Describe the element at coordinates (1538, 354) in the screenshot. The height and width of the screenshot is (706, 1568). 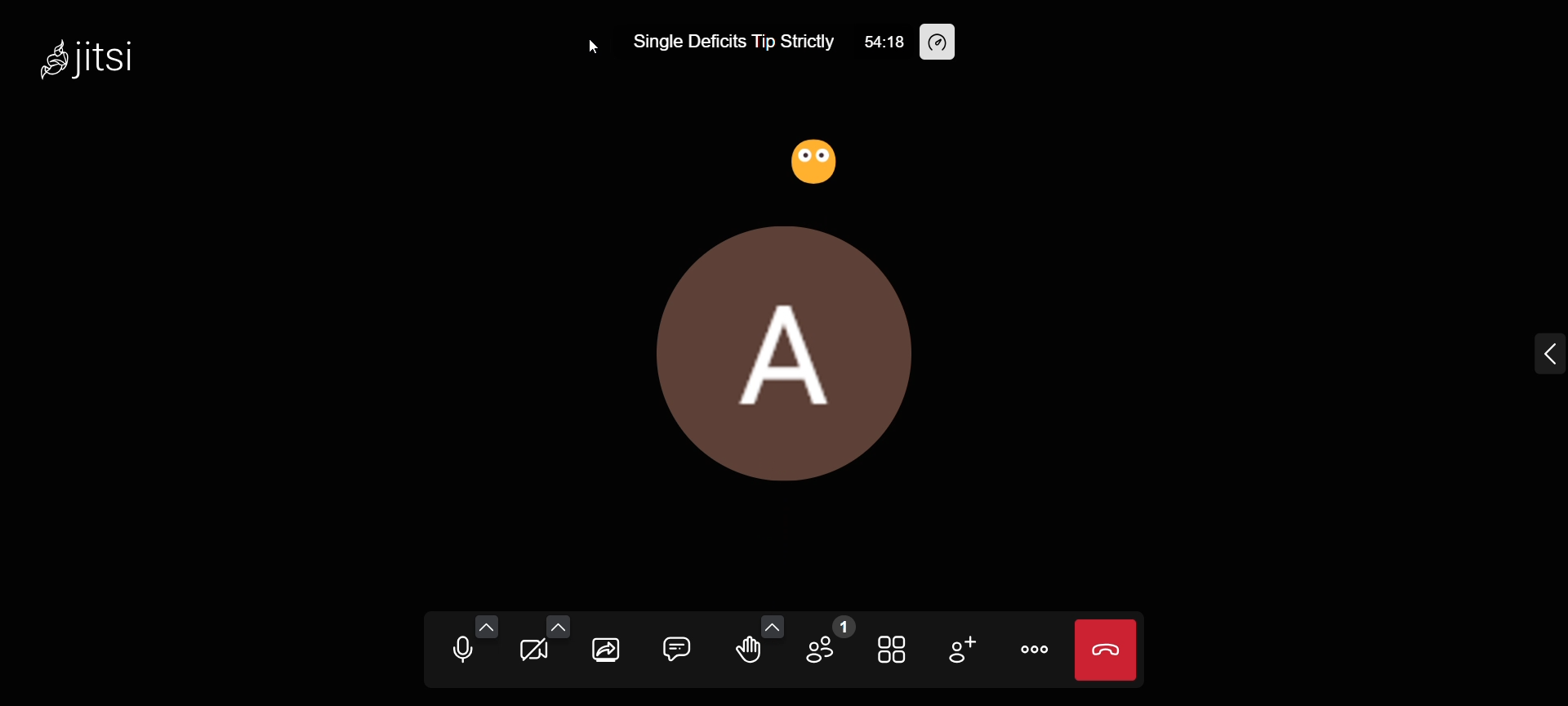
I see `expand` at that location.